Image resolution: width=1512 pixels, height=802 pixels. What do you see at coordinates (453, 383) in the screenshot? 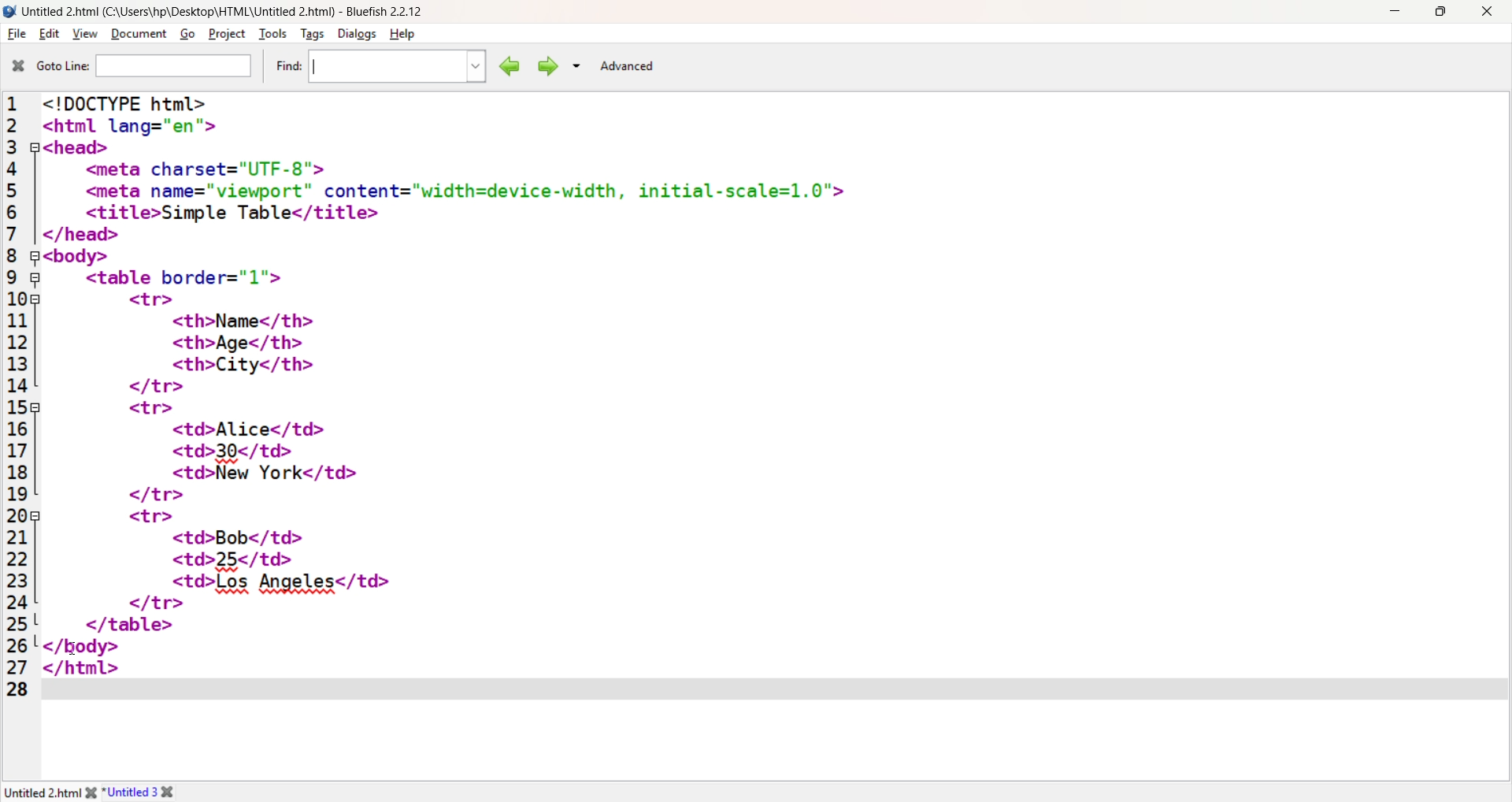
I see `<!DOCTYPE html><html lang="en"><head><meta charset="UTF-8"><meta name="viewport" content="width=device-width, initial-scale=1.0"><title>Simple Table</title></head><body> <table border="1"><tr><th>Name</th><th>Age</th><th>City</th></tr> <tr><td>Alice</td><td>30</td><td>New York</td></tr> <tr><td>Bob</td><td>25</td><td>Los Angeles</td></tr></table></body></html>` at bounding box center [453, 383].